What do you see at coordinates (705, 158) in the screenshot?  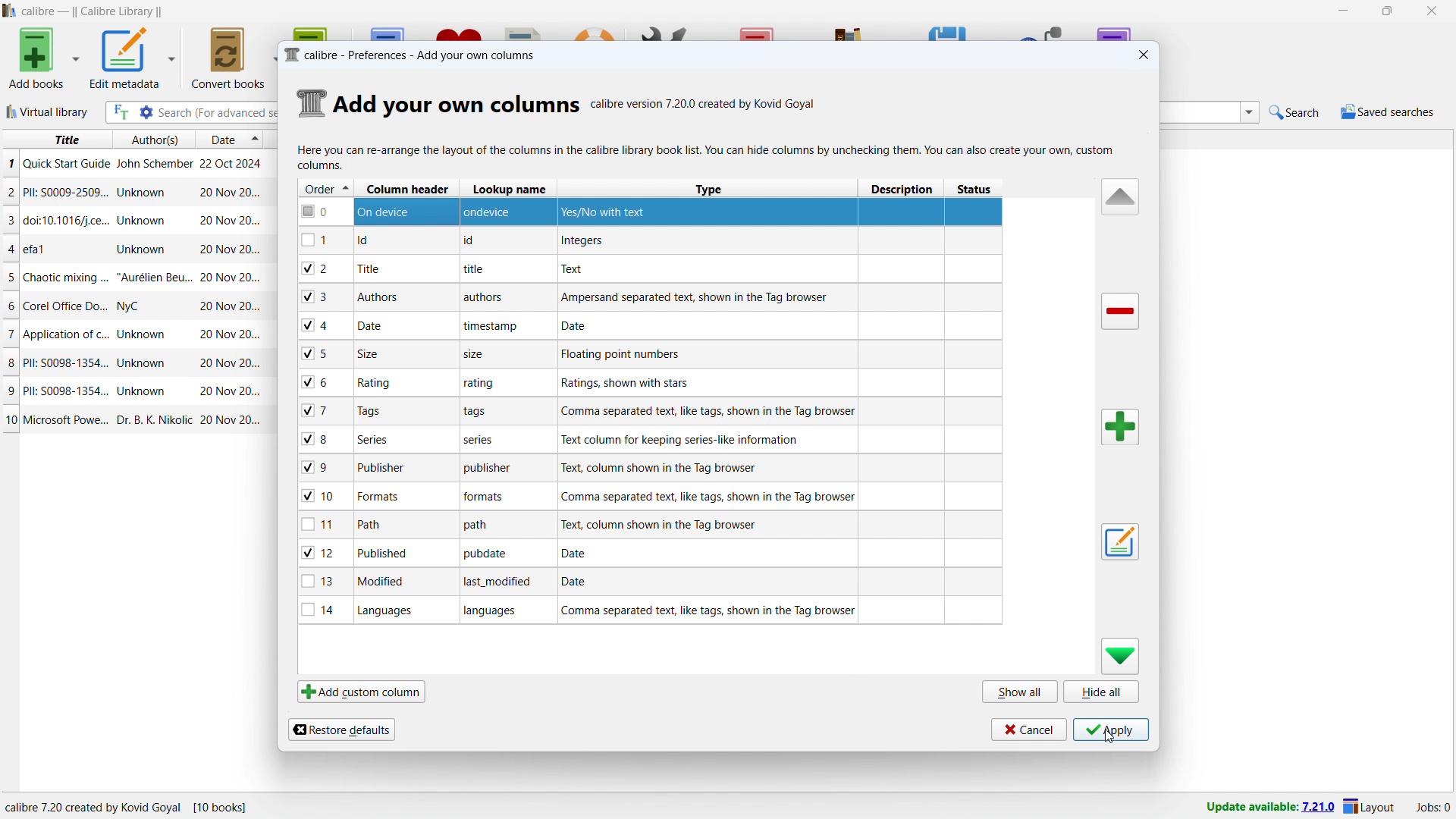 I see `Column preferences` at bounding box center [705, 158].